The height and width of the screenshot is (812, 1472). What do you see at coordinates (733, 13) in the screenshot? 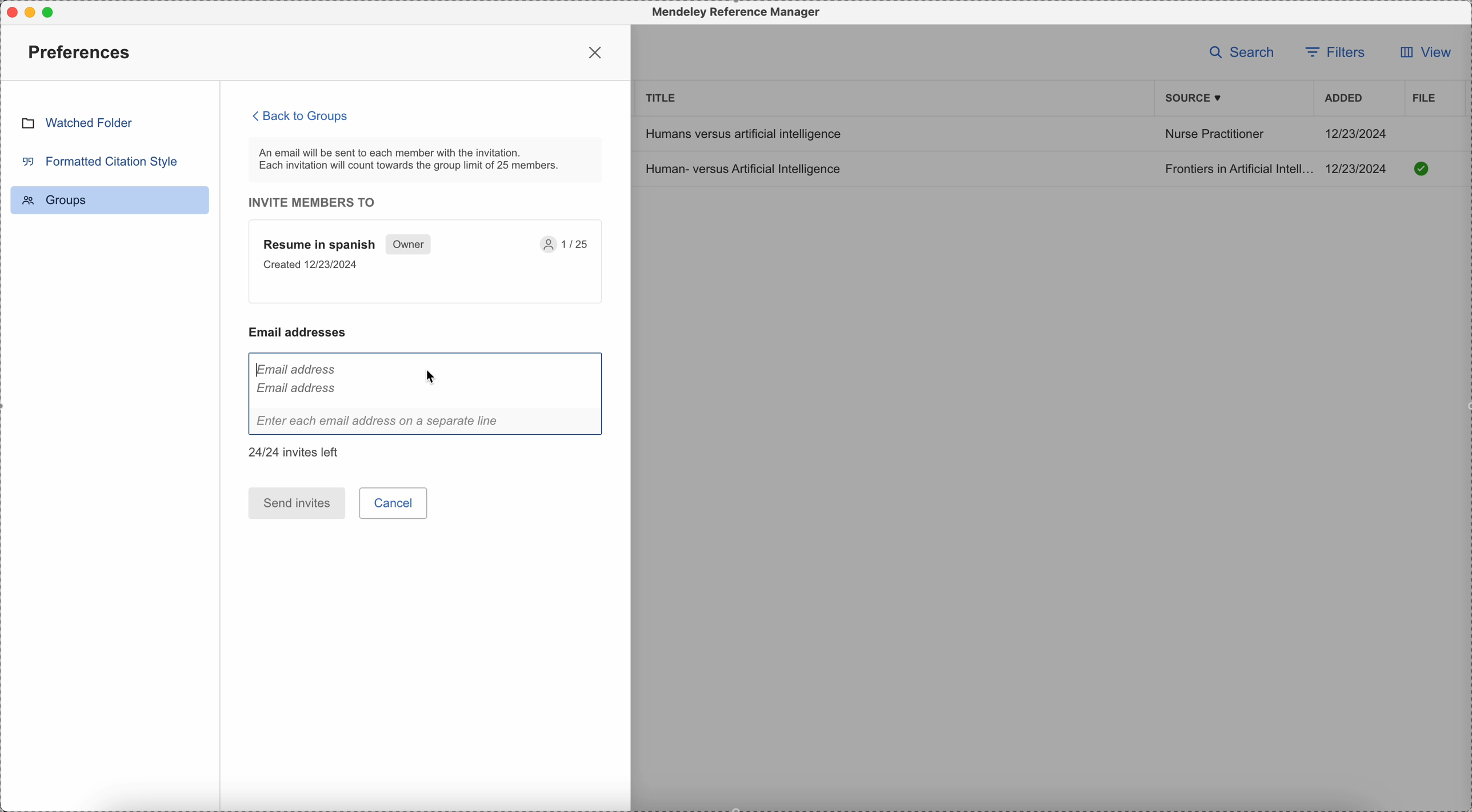
I see `Mendeley Reference Manager` at bounding box center [733, 13].